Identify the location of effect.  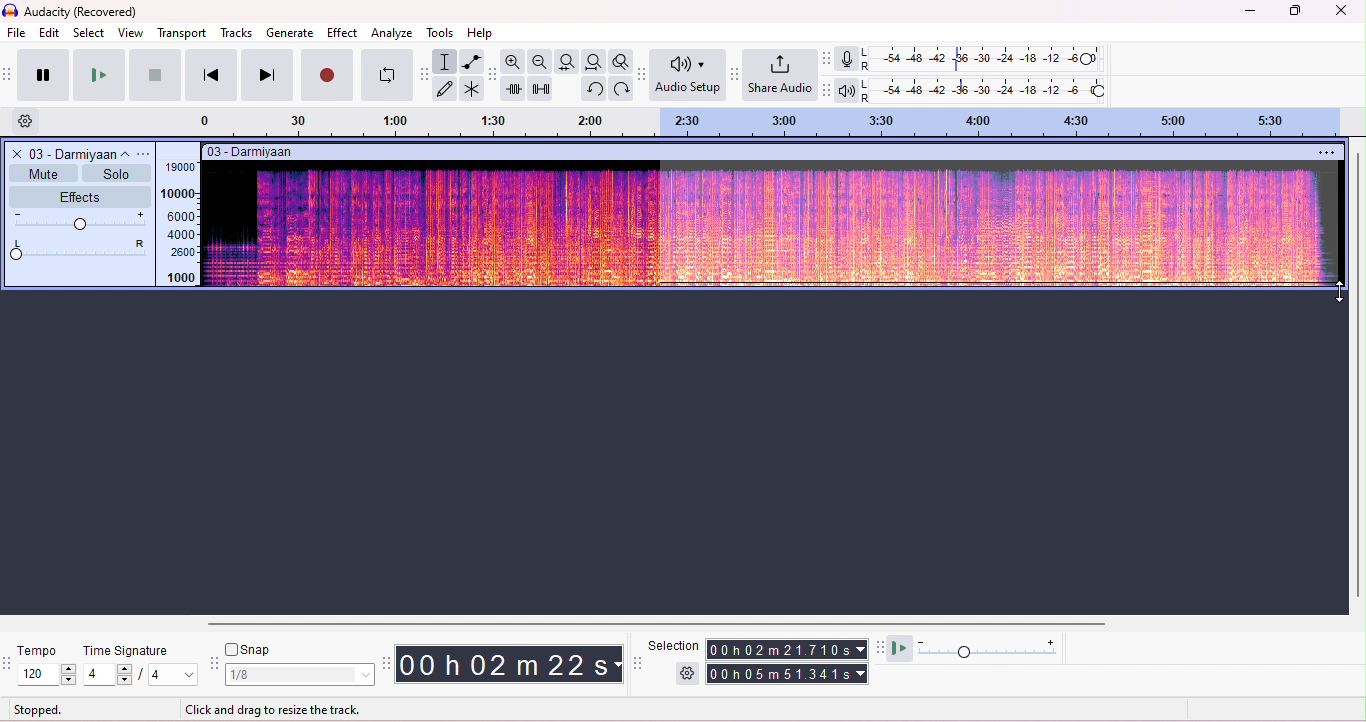
(342, 34).